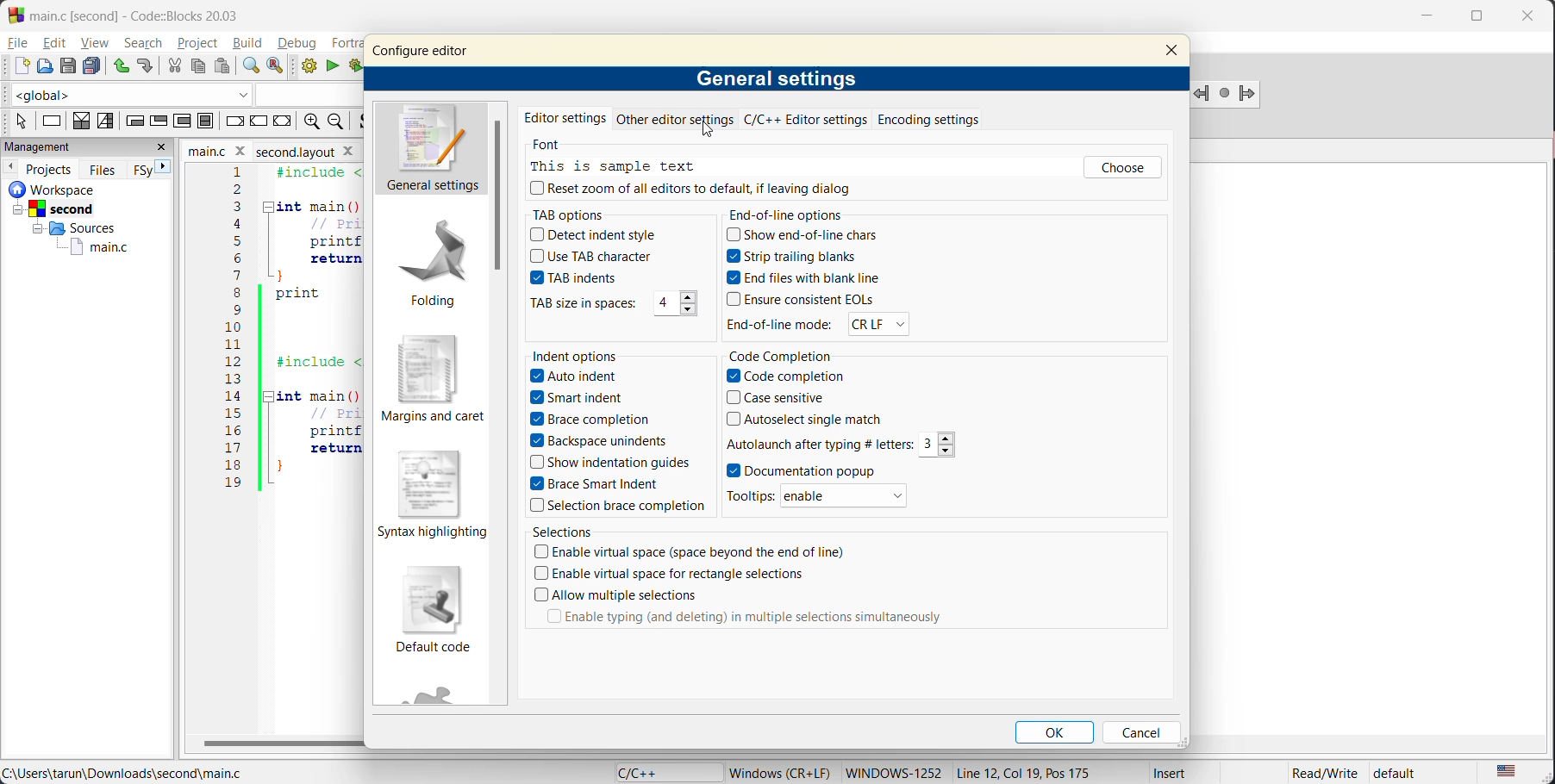 The image size is (1555, 784). I want to click on Tooltips, so click(749, 496).